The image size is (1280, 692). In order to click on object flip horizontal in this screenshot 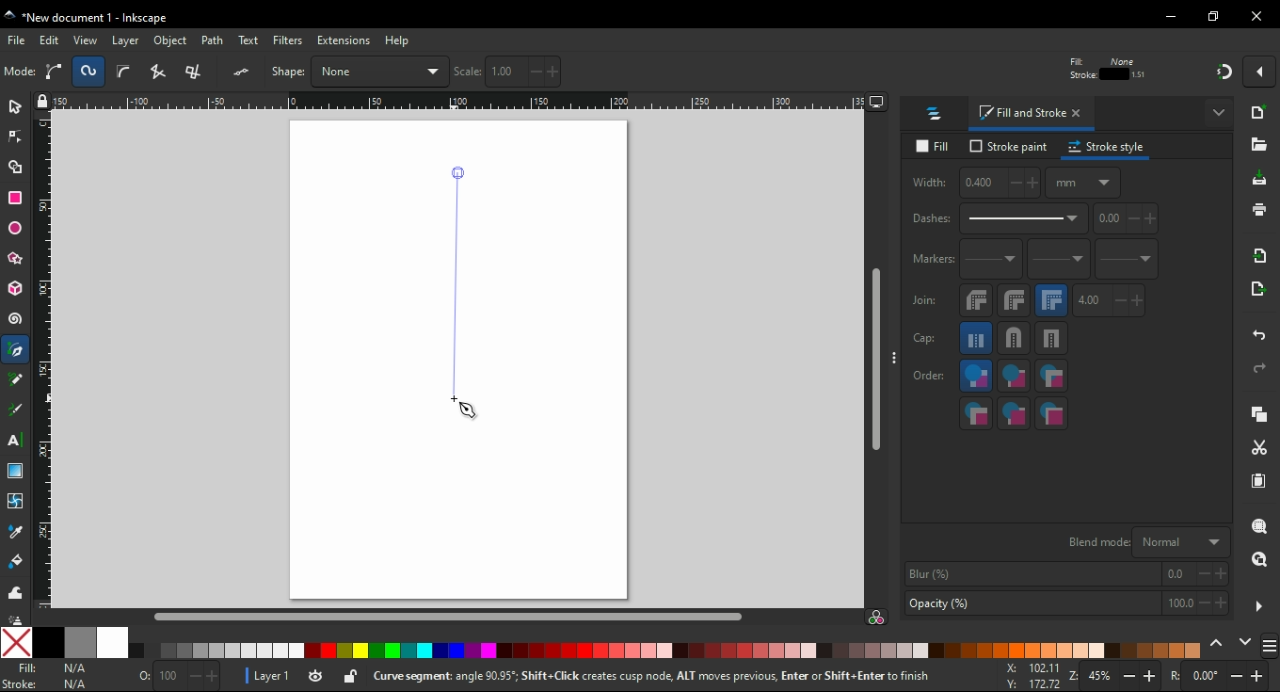, I will do `click(245, 71)`.